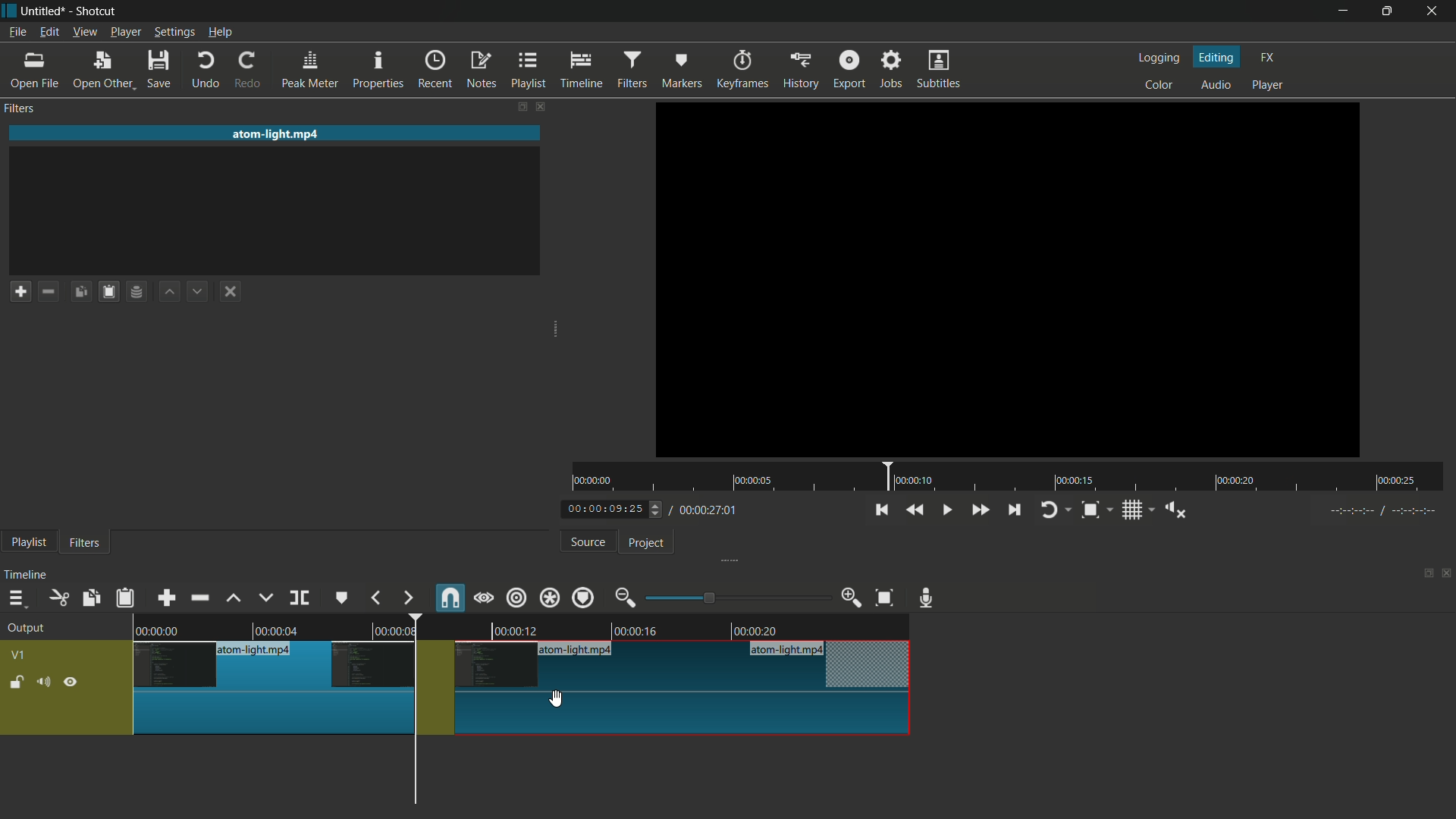 This screenshot has height=819, width=1456. Describe the element at coordinates (84, 290) in the screenshot. I see `copy checked filters` at that location.